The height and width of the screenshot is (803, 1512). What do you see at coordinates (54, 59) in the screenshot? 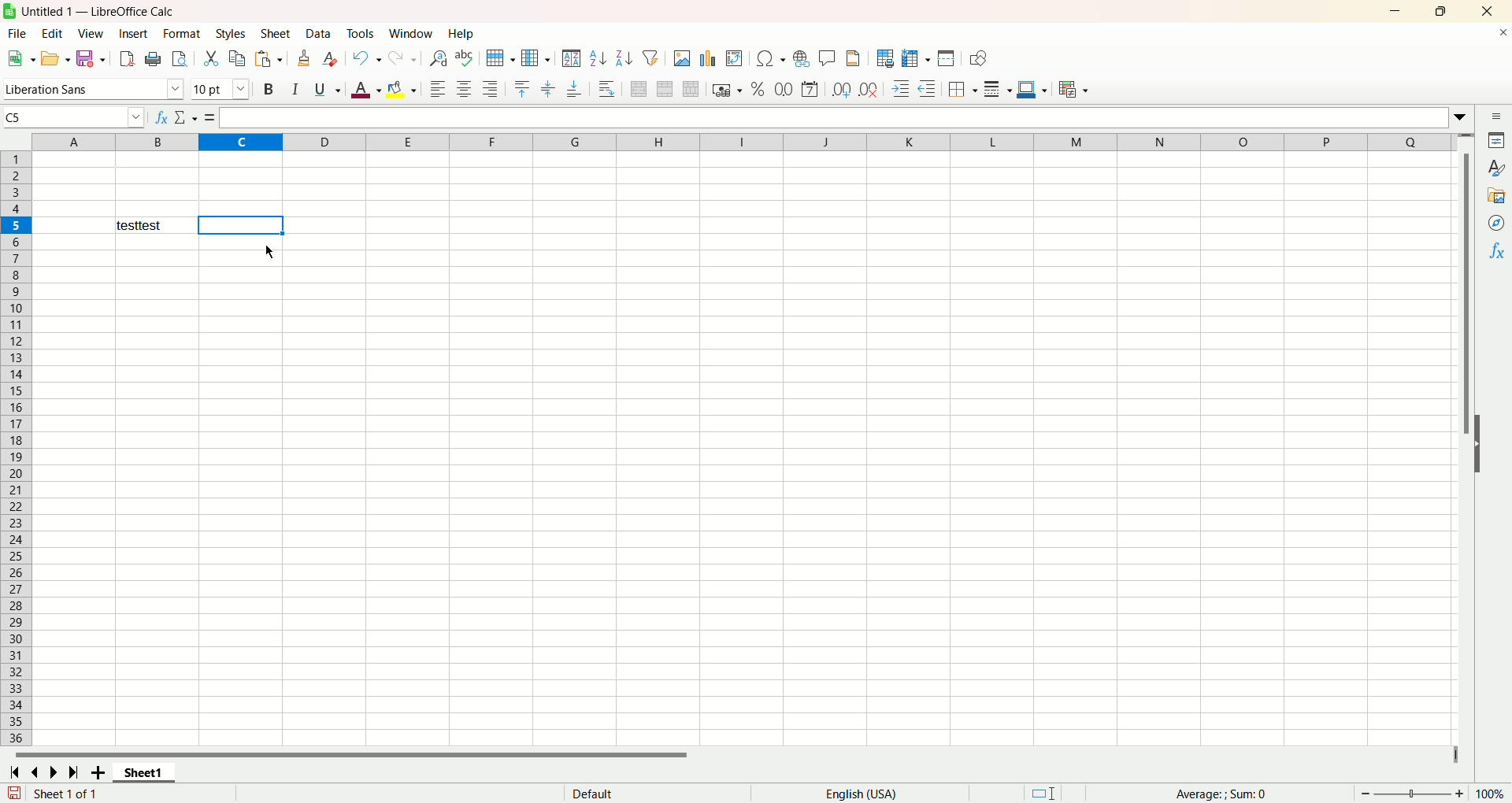
I see `open` at bounding box center [54, 59].